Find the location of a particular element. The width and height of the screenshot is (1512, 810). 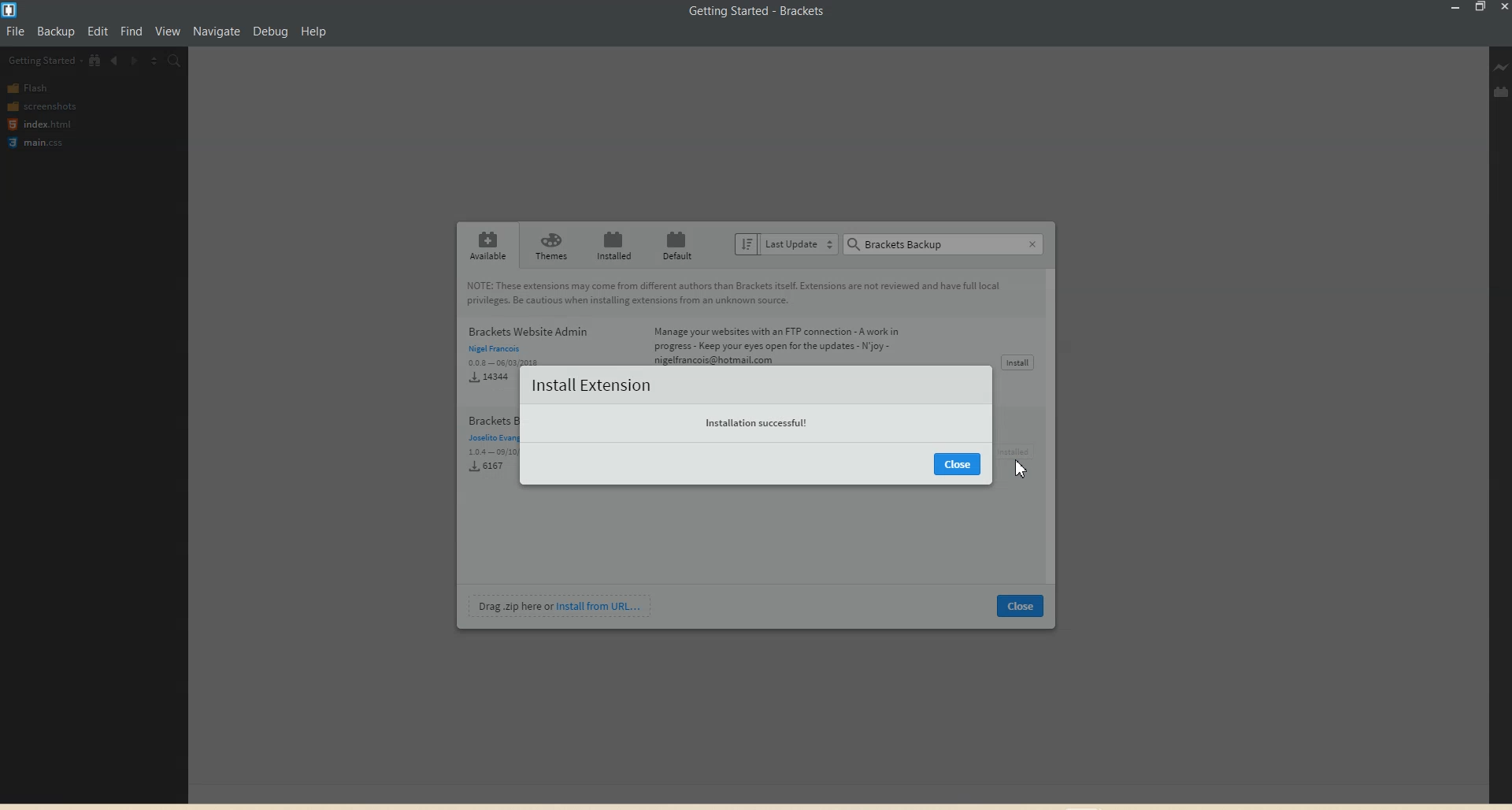

Extension manager is located at coordinates (1502, 91).